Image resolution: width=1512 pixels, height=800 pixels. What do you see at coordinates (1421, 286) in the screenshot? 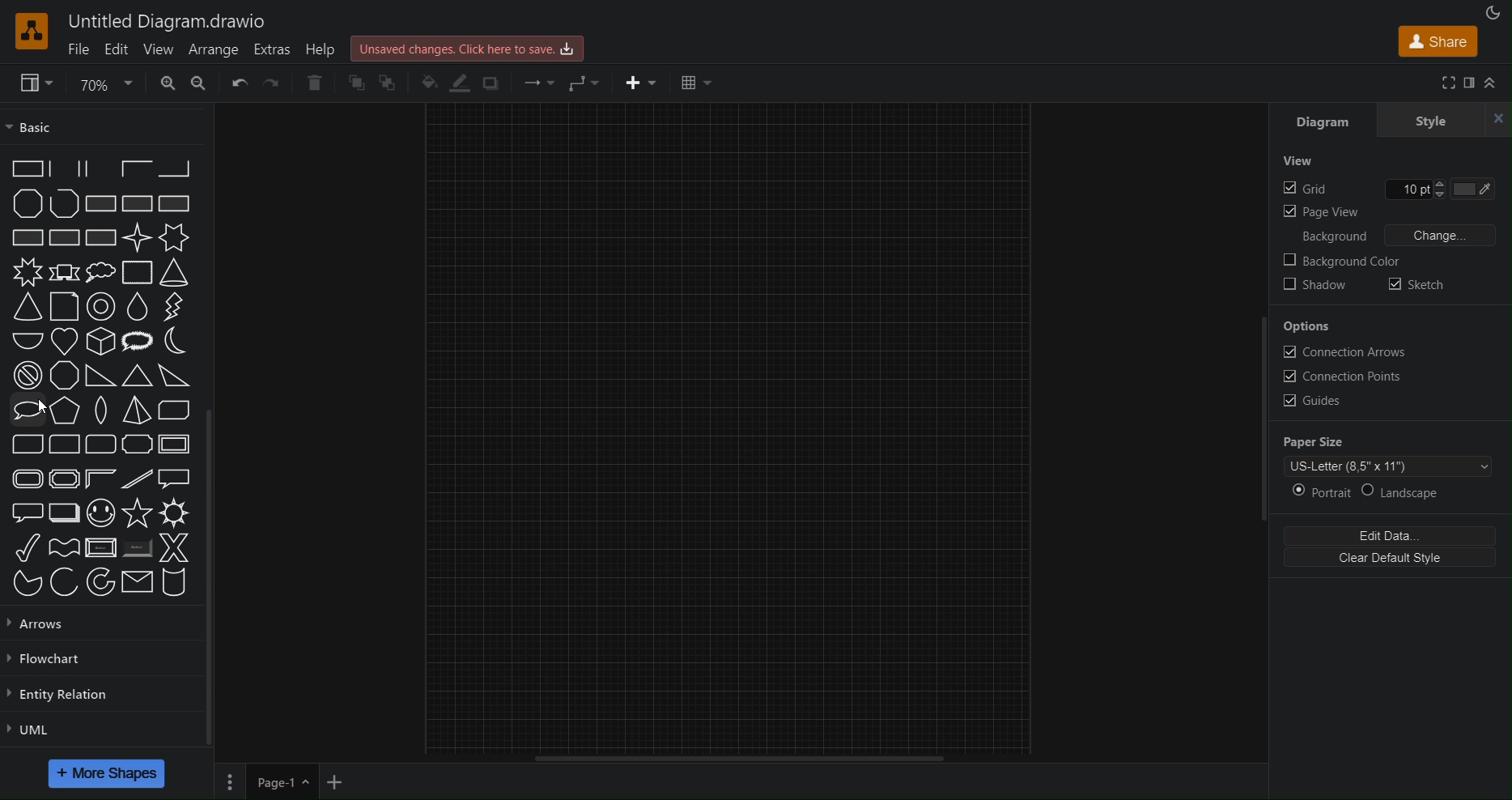
I see `Sketch` at bounding box center [1421, 286].